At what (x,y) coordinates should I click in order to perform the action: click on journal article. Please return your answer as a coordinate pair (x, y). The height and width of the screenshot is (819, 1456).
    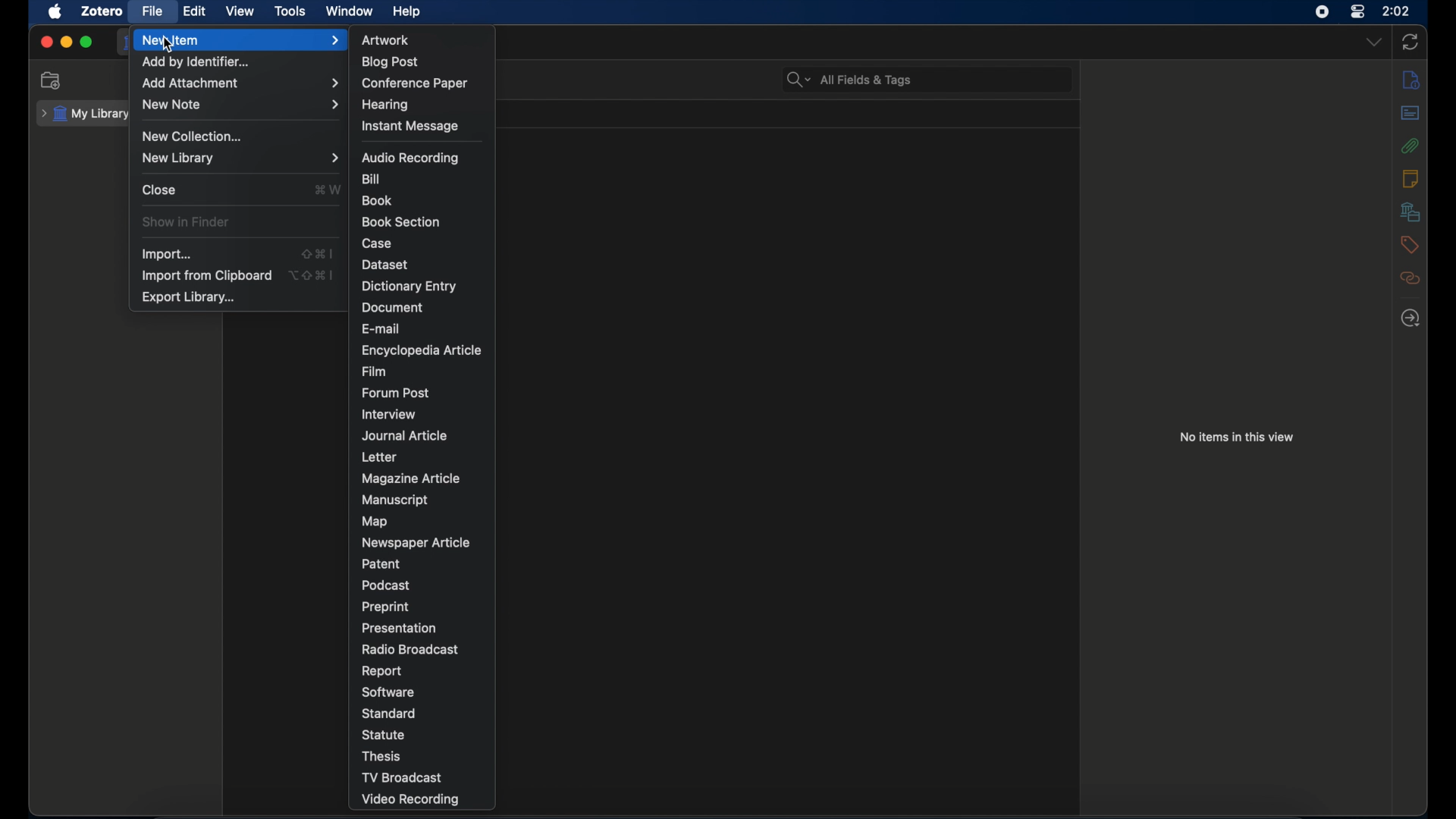
    Looking at the image, I should click on (406, 436).